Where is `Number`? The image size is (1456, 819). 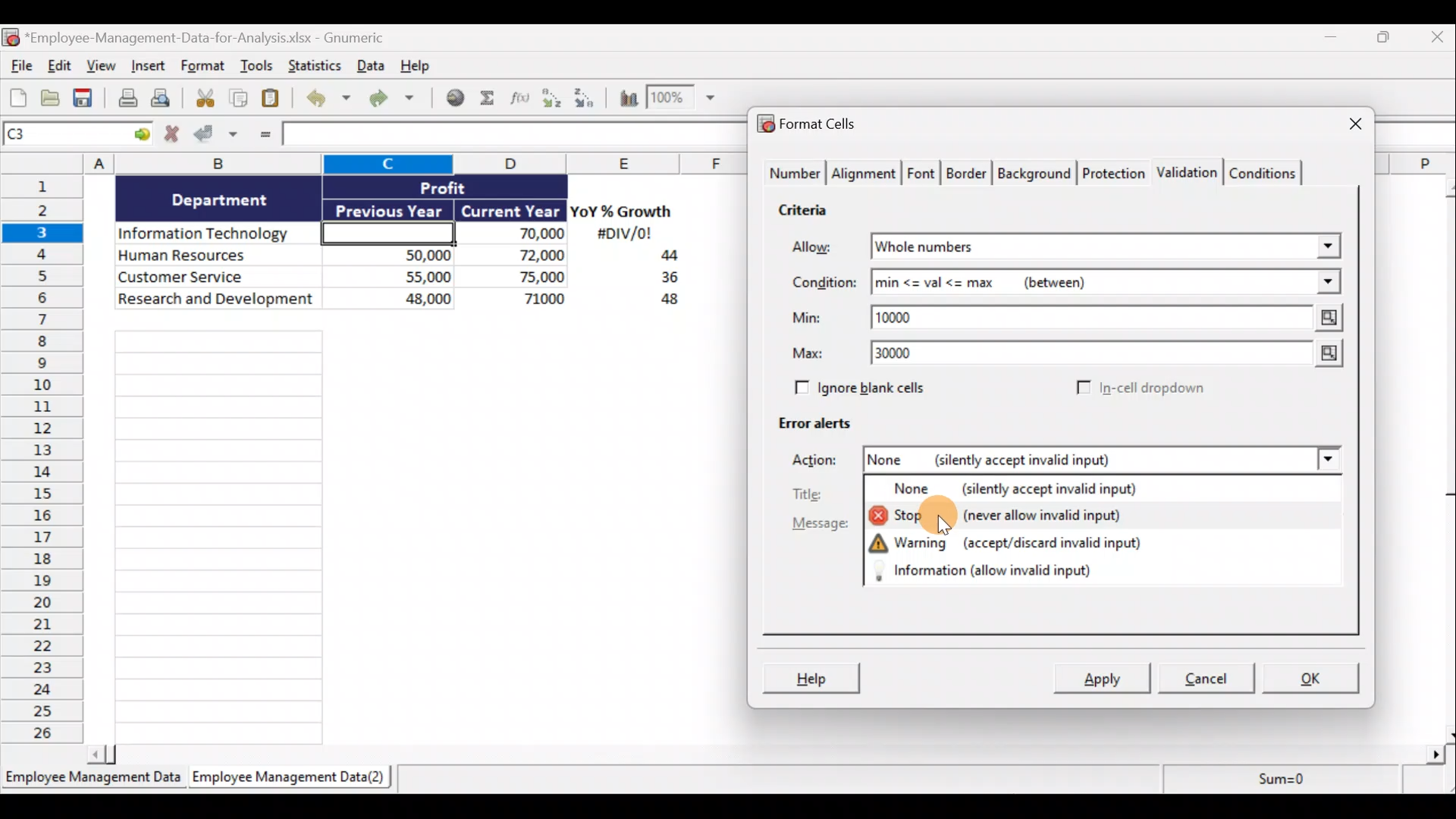
Number is located at coordinates (793, 174).